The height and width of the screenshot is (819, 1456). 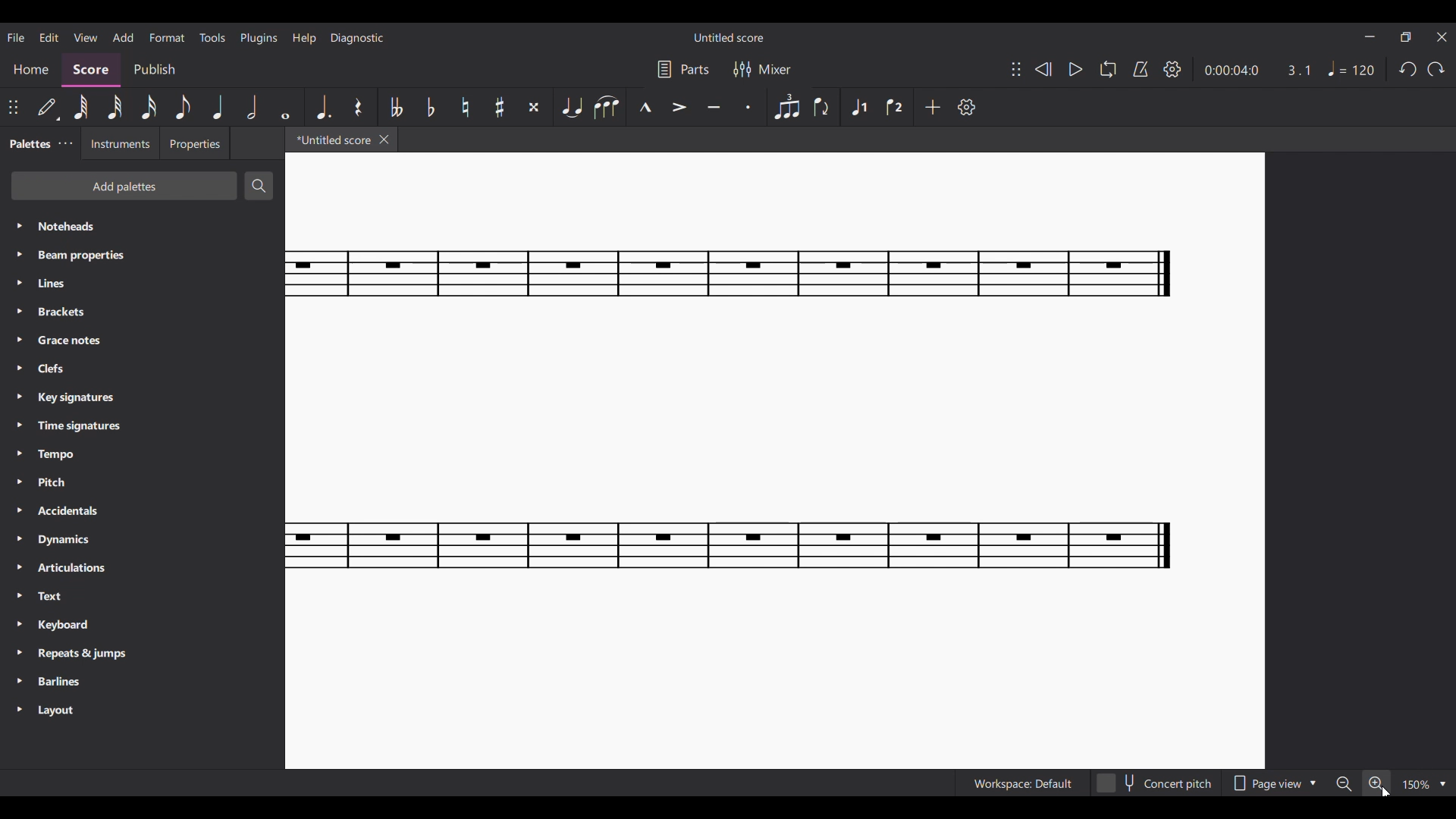 What do you see at coordinates (748, 108) in the screenshot?
I see `Staccato` at bounding box center [748, 108].